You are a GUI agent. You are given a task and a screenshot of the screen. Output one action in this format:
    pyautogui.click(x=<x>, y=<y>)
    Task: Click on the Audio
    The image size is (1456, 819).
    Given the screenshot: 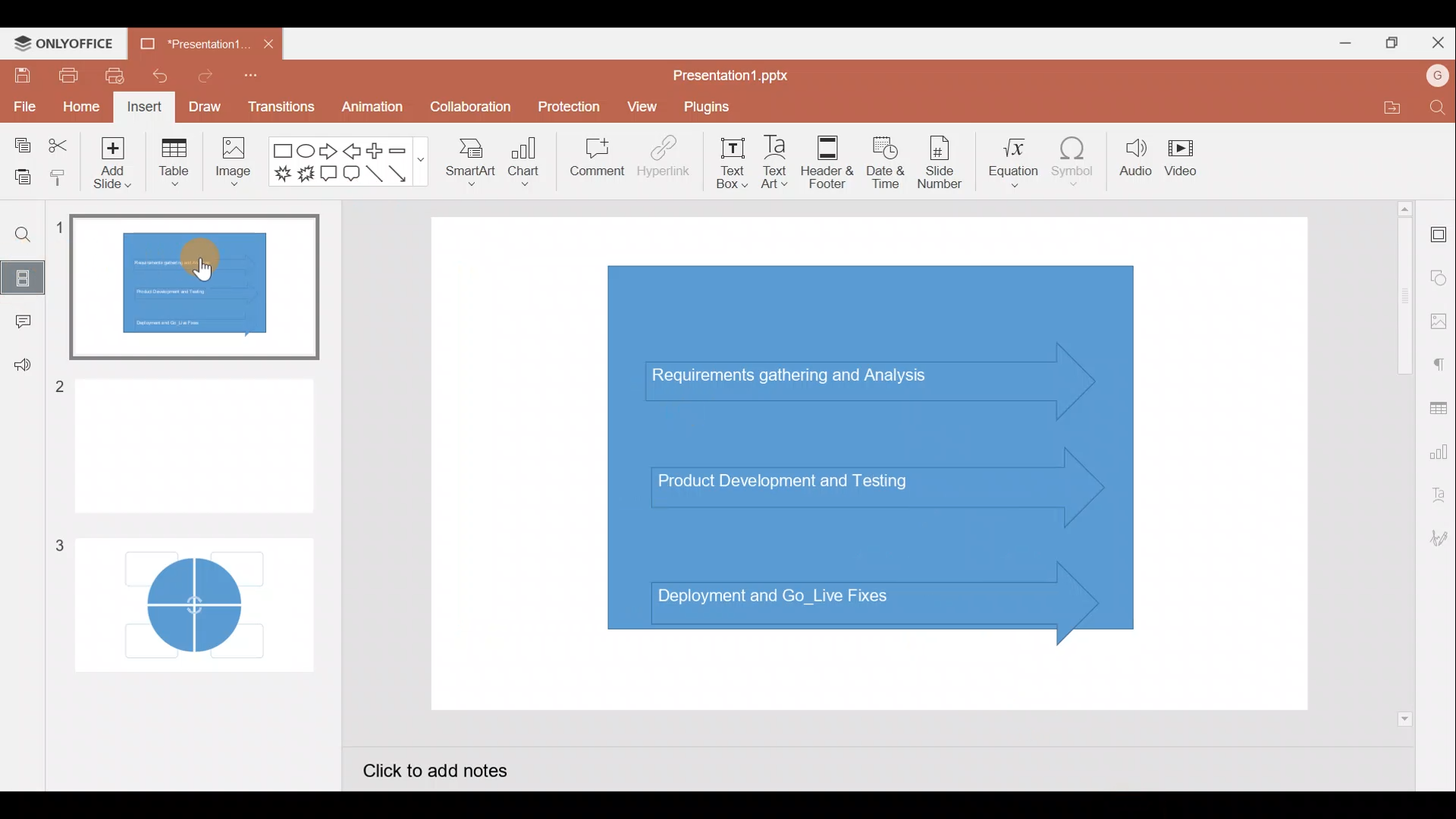 What is the action you would take?
    pyautogui.click(x=1132, y=163)
    